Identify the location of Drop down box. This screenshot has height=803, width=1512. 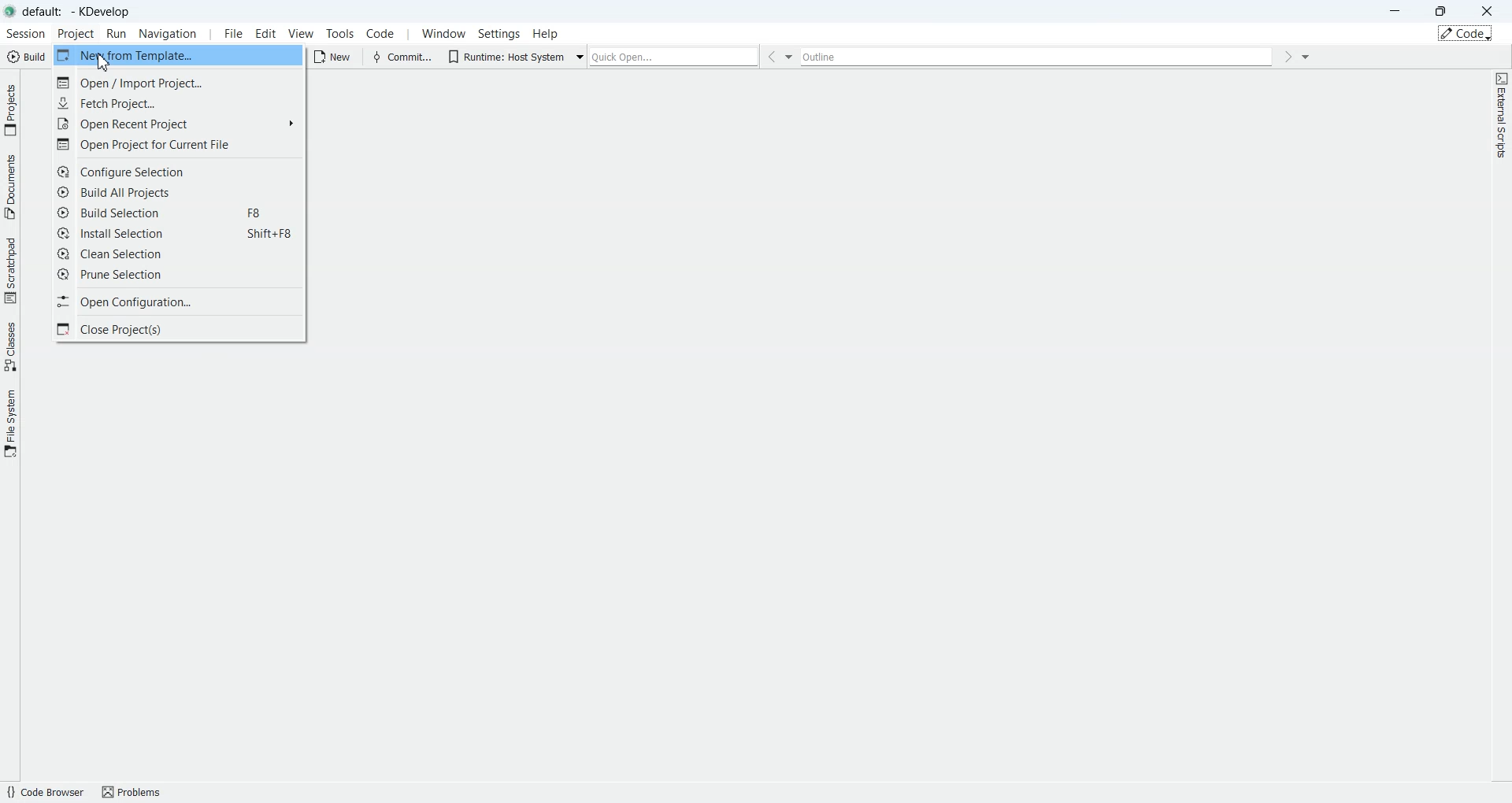
(791, 57).